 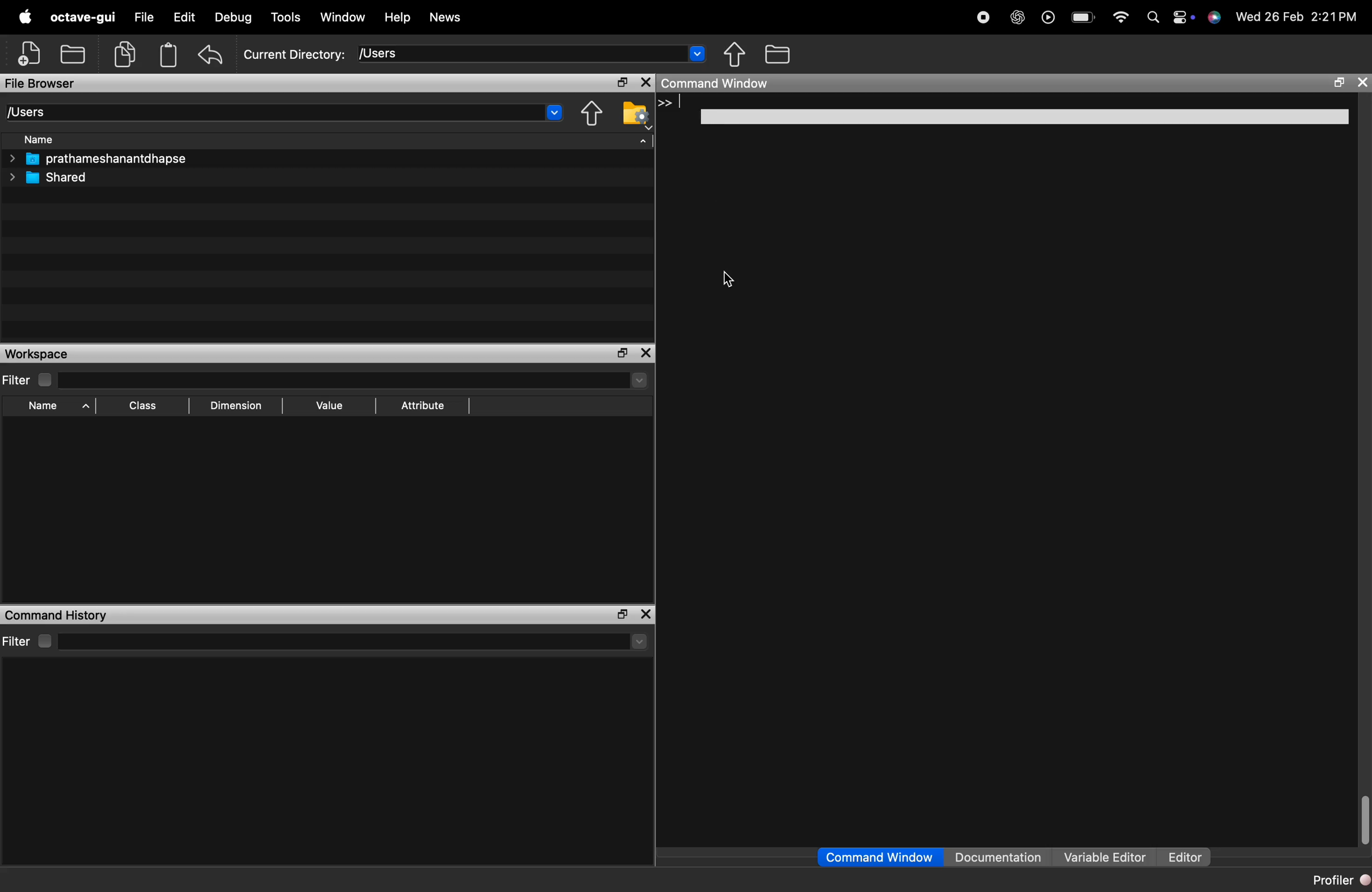 I want to click on browse your files, so click(x=635, y=114).